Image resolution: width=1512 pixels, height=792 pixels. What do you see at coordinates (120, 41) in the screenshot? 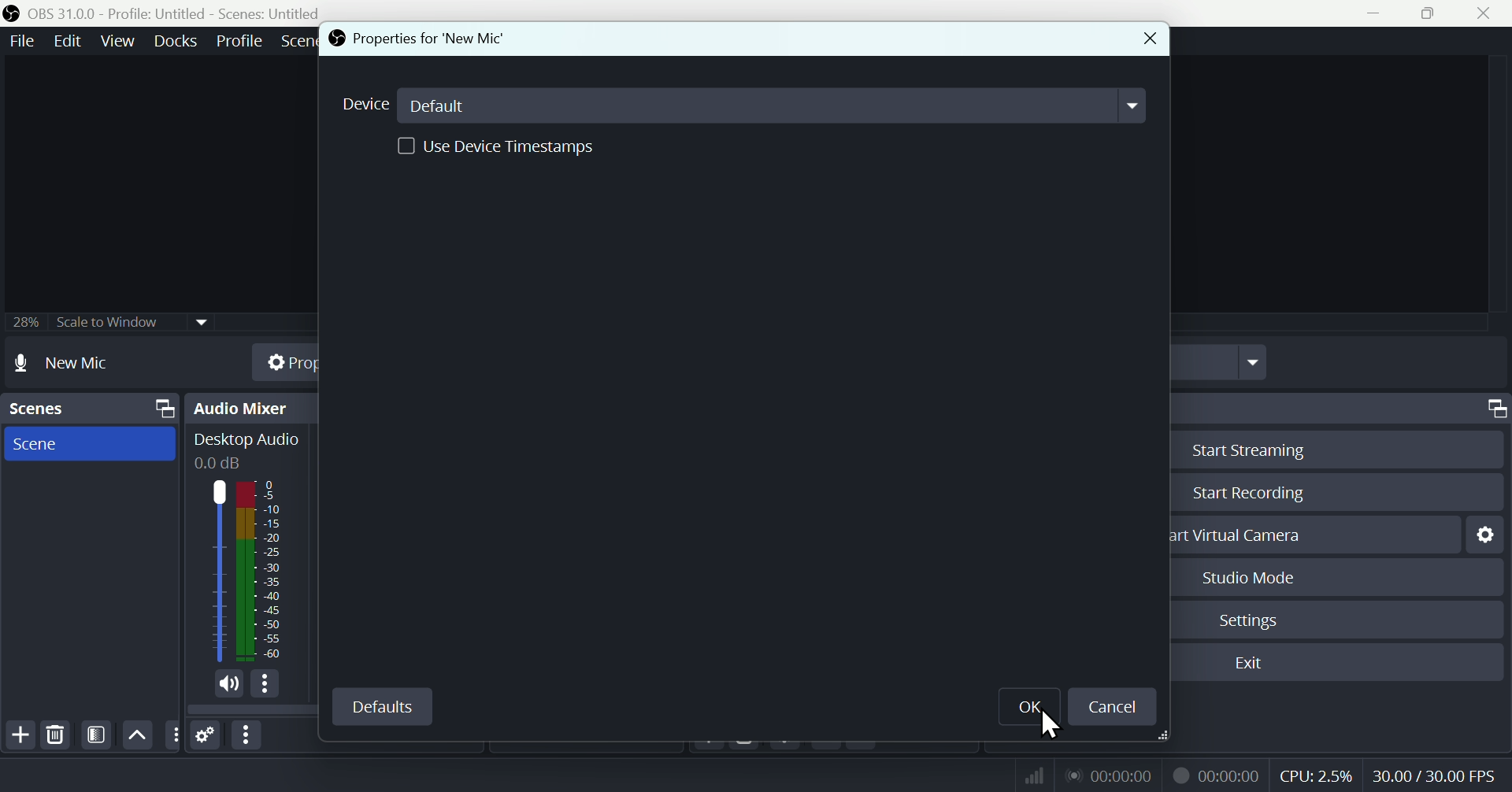
I see `View` at bounding box center [120, 41].